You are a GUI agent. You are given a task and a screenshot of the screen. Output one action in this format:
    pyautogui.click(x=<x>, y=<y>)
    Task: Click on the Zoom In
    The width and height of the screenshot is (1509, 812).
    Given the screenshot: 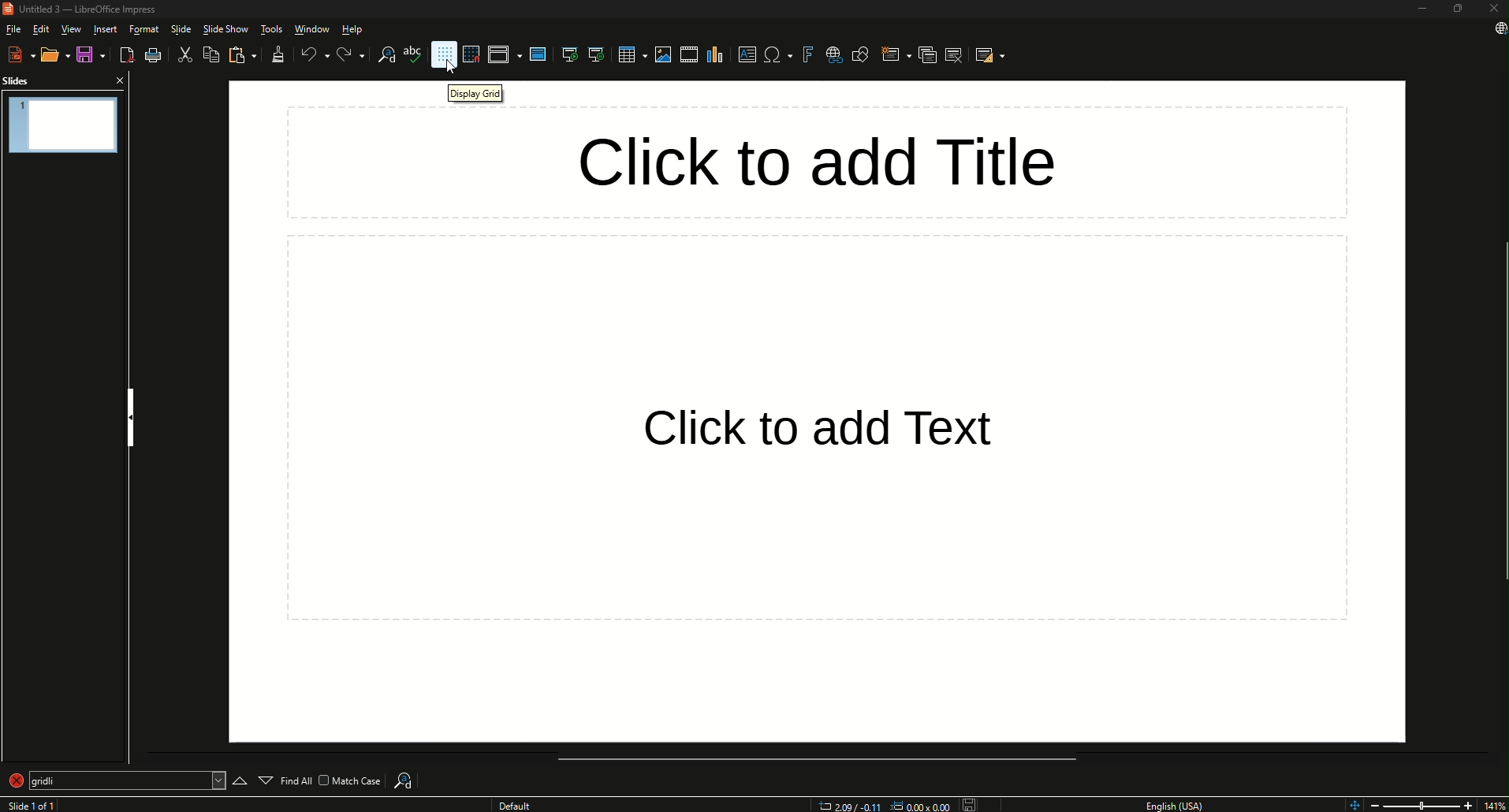 What is the action you would take?
    pyautogui.click(x=1466, y=804)
    